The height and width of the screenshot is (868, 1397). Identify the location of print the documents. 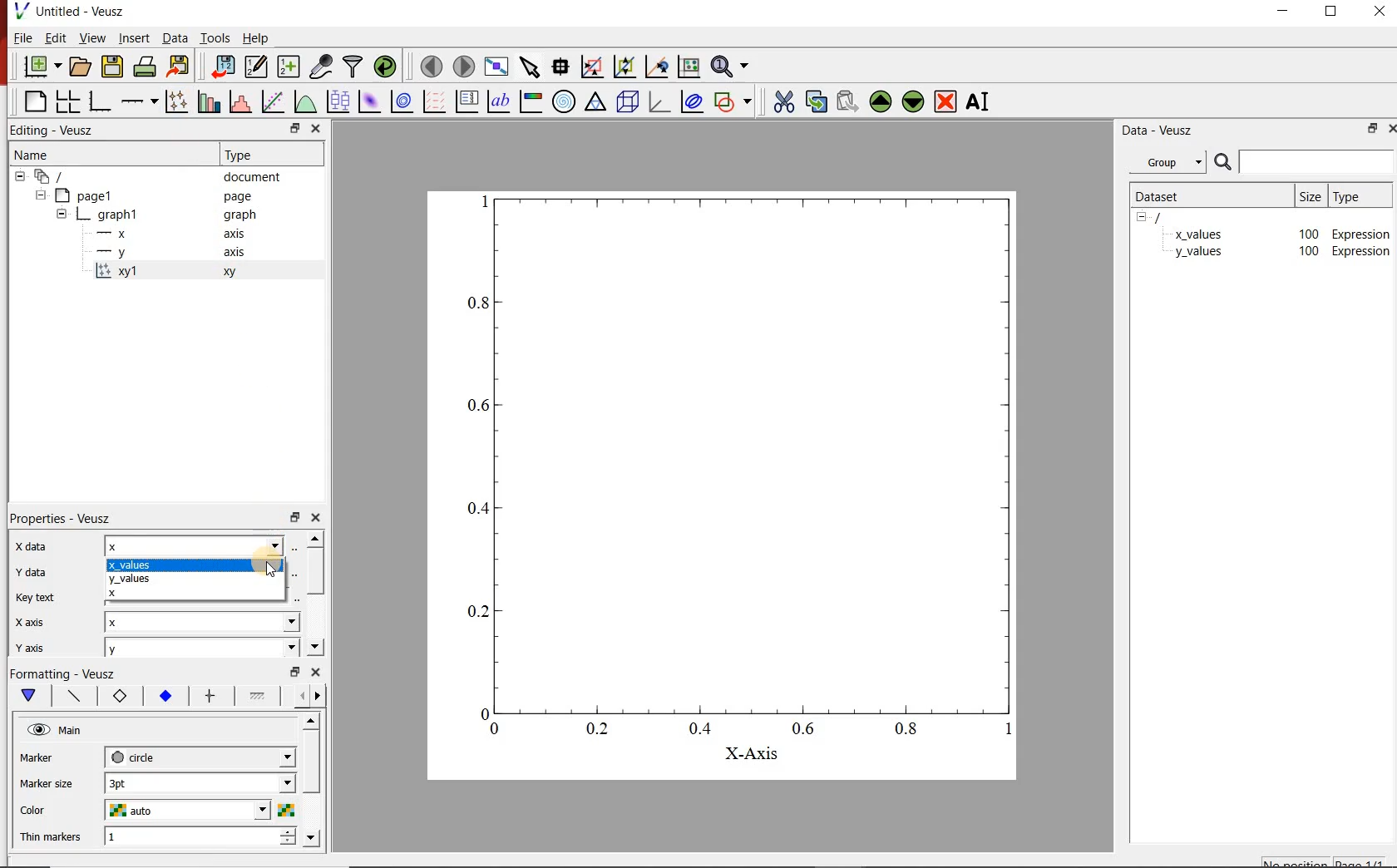
(145, 67).